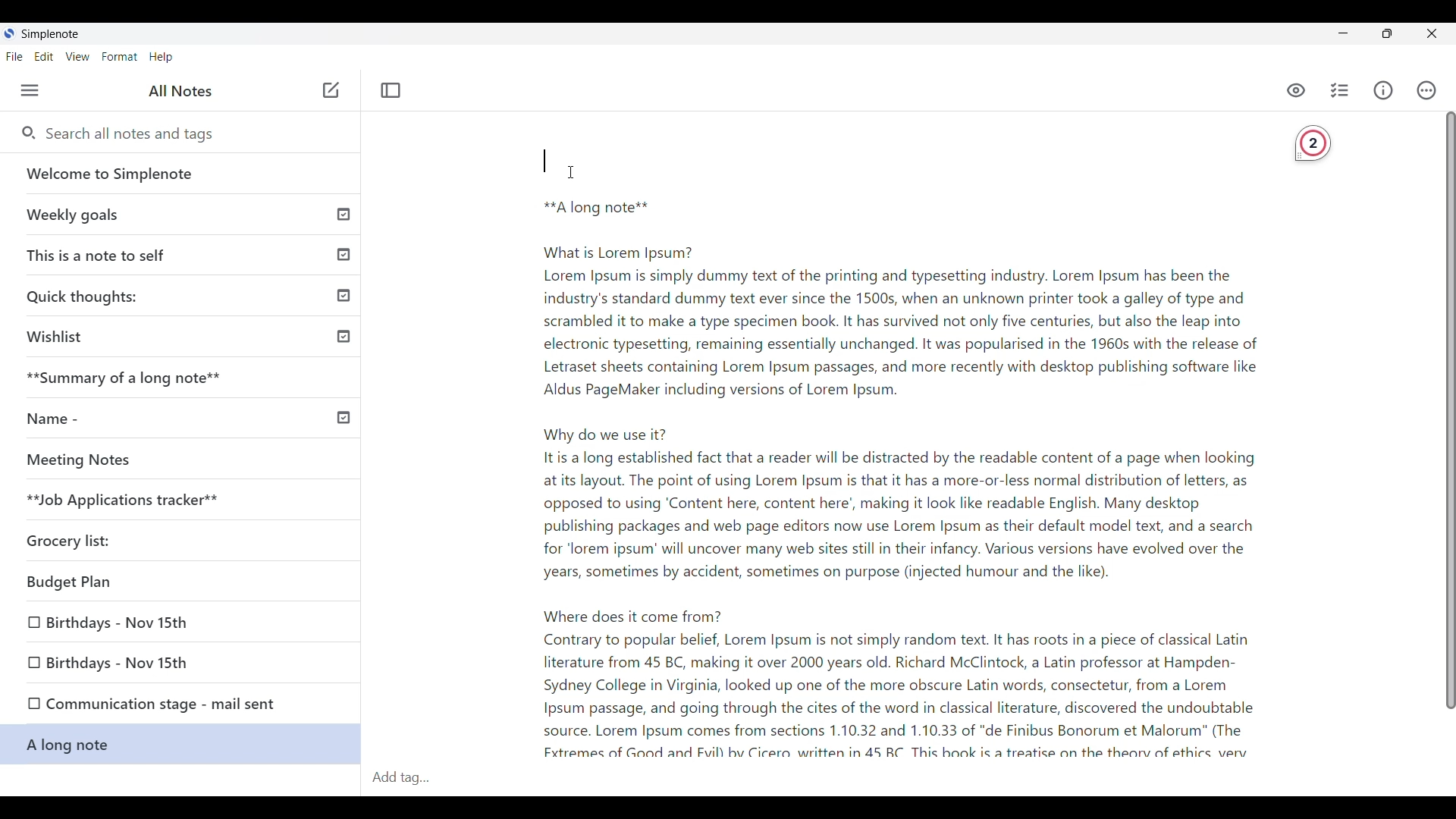 This screenshot has width=1456, height=819. I want to click on Birthdays-Nov 15th, so click(163, 661).